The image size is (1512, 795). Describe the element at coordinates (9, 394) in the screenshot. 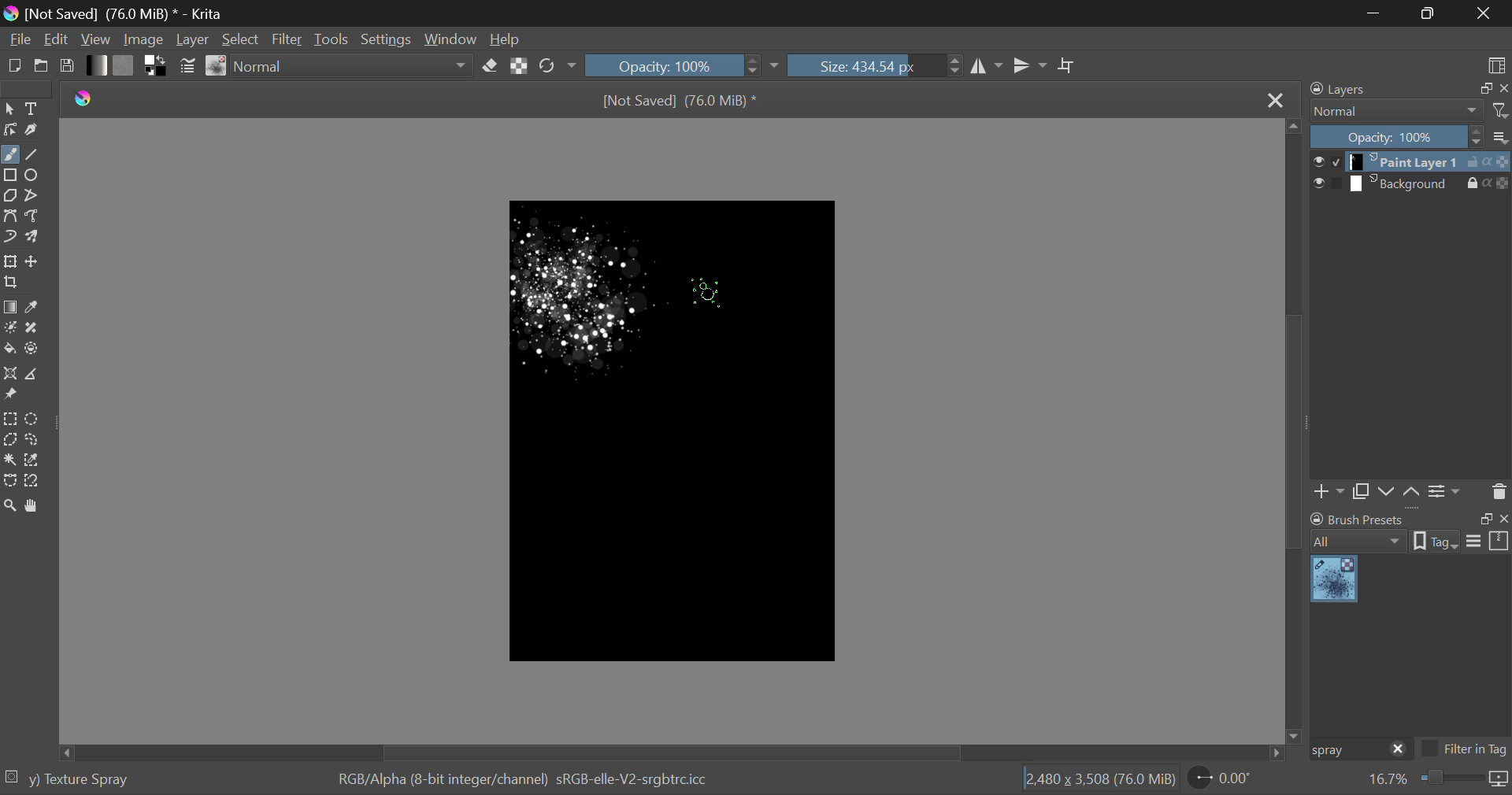

I see `Reference Images` at that location.